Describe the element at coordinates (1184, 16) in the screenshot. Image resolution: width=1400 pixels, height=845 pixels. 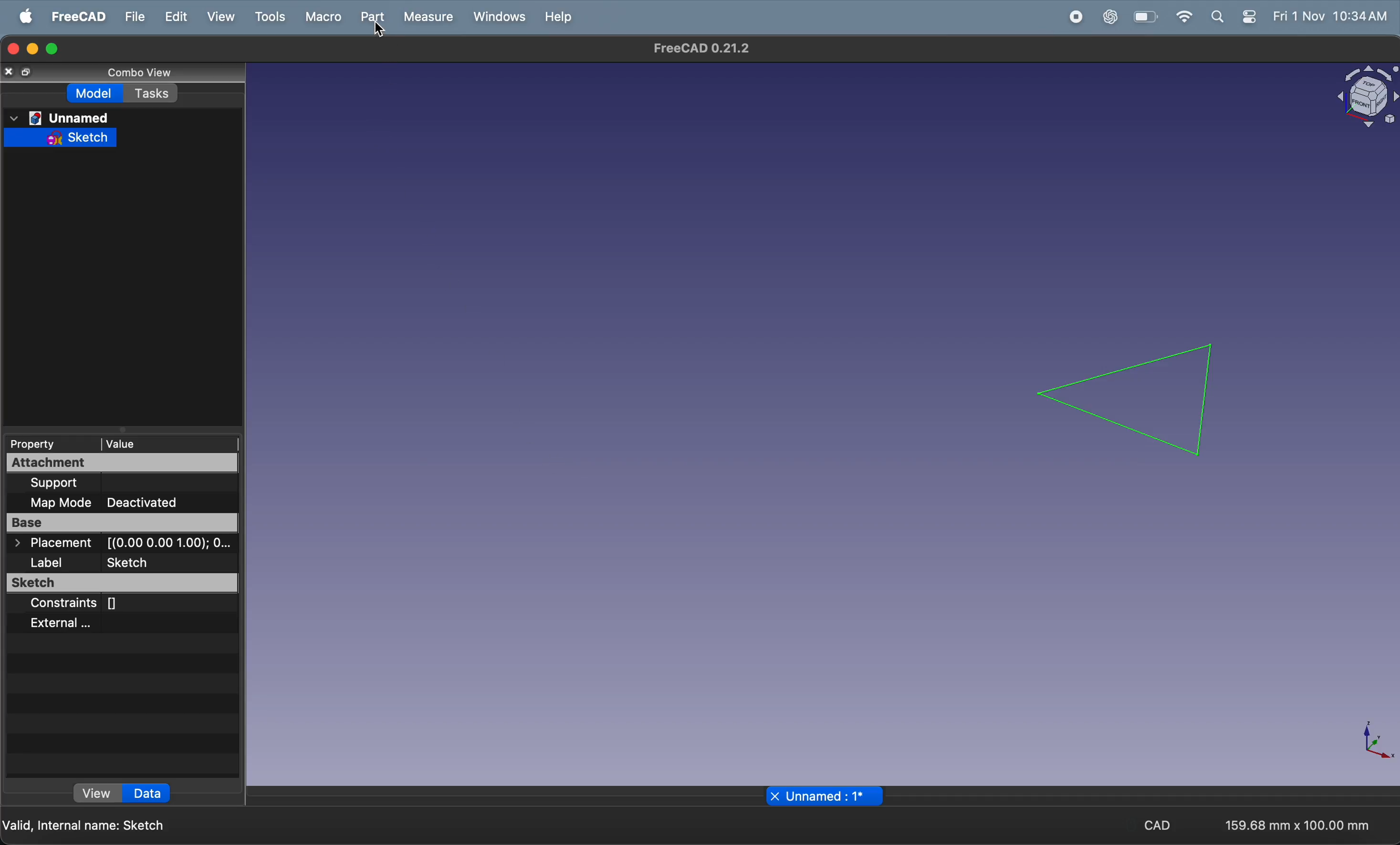
I see `wifi` at that location.